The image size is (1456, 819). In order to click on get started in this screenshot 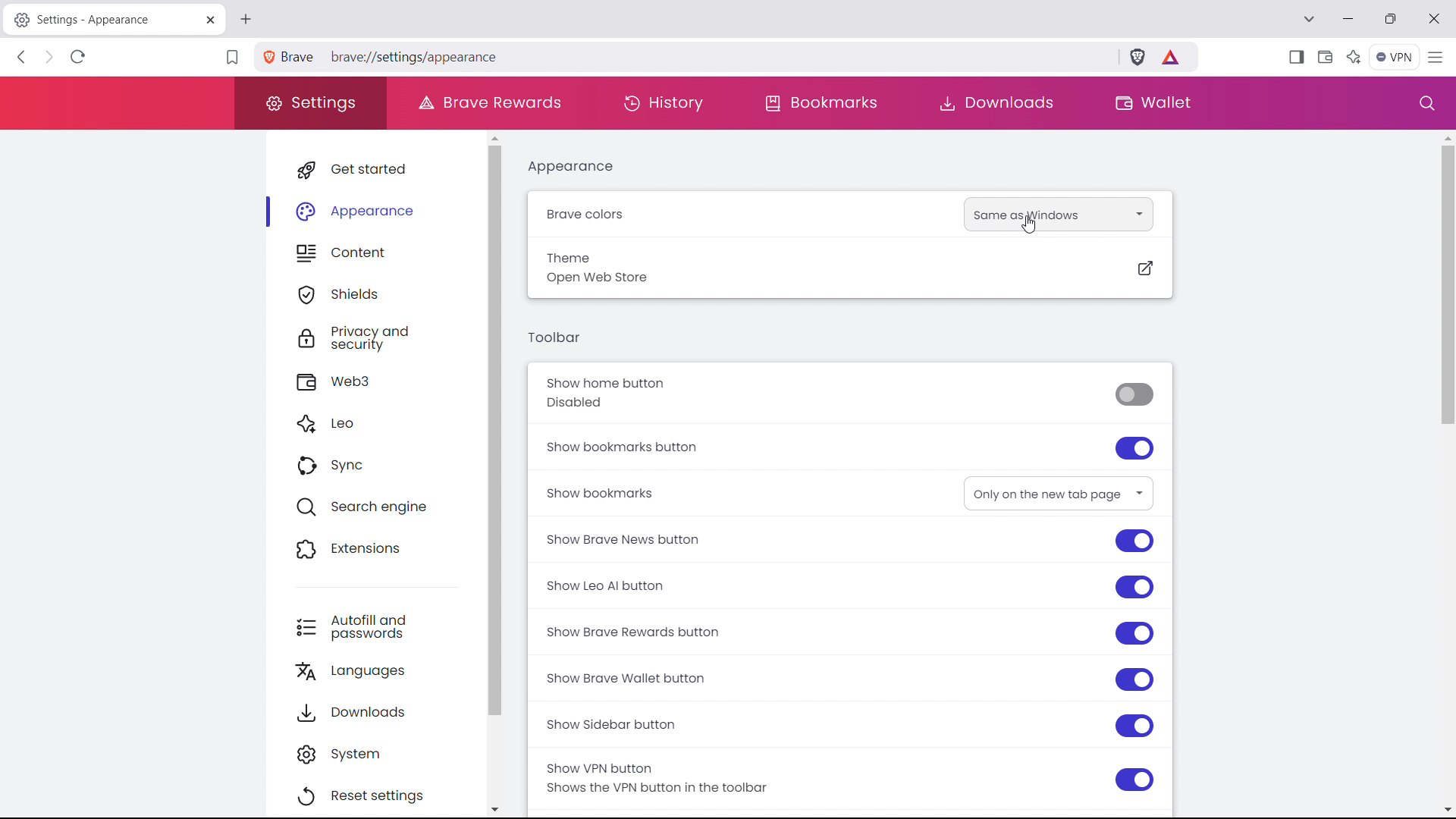, I will do `click(384, 167)`.